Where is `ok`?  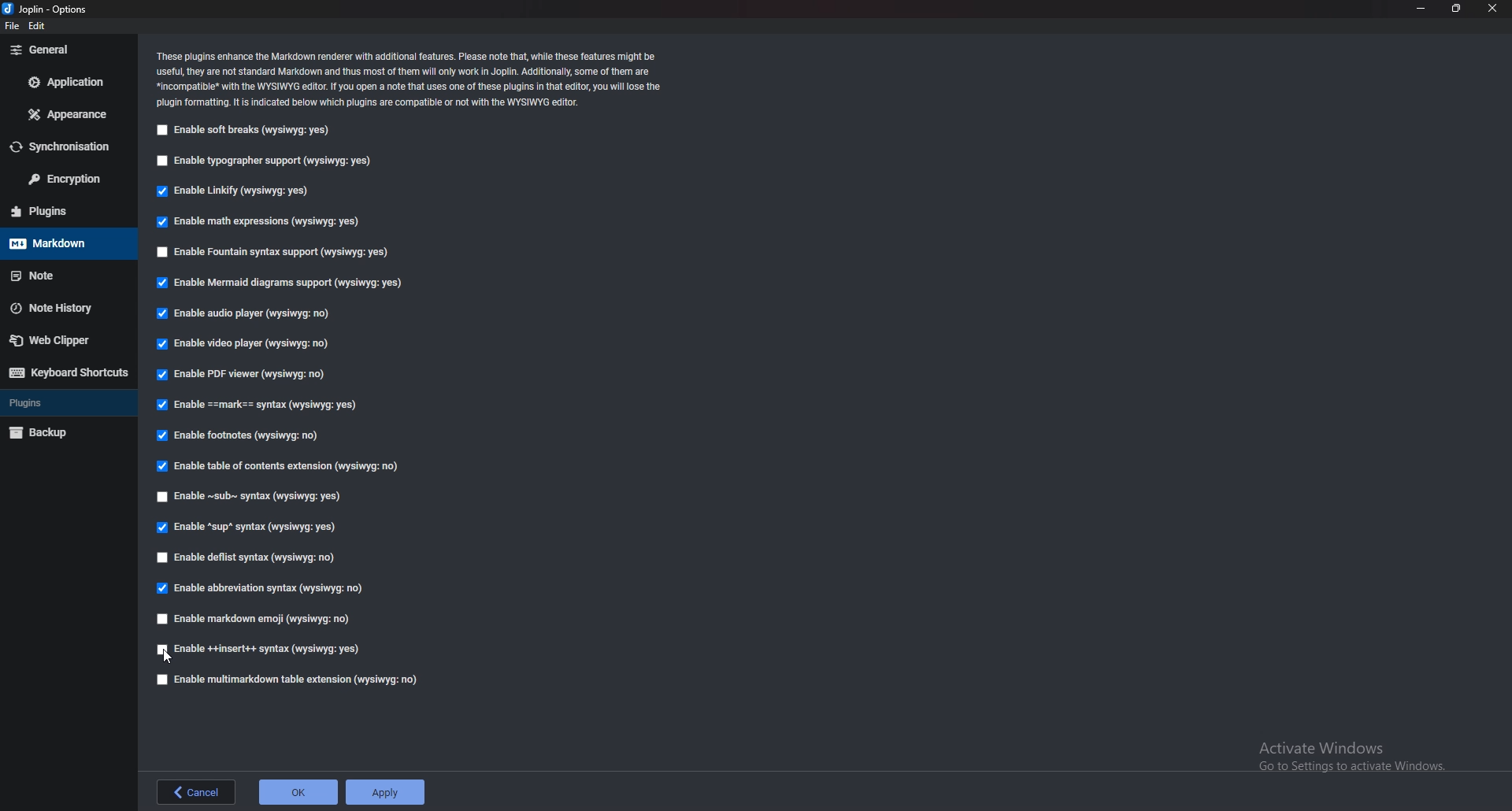 ok is located at coordinates (296, 790).